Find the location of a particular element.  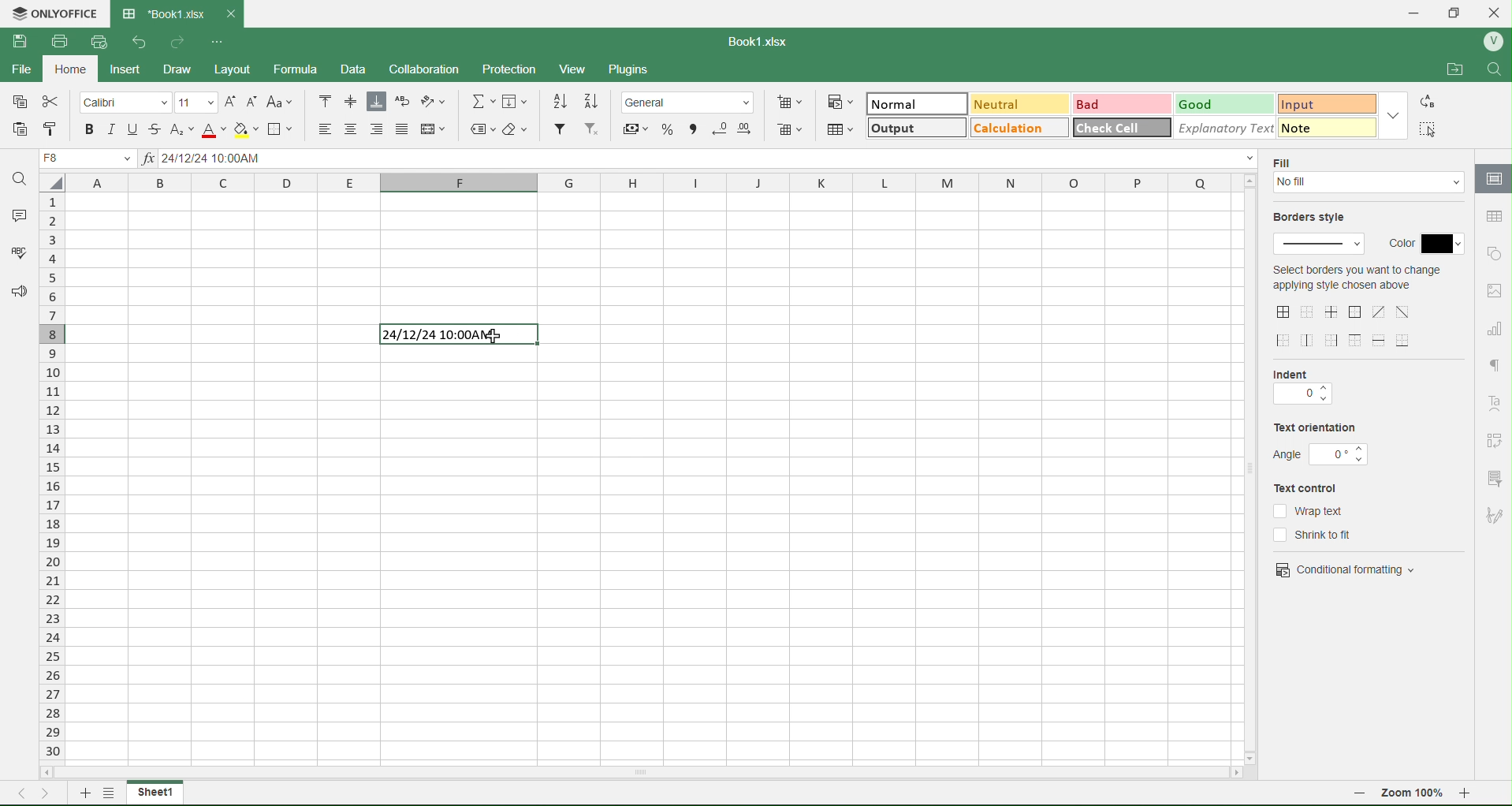

Find is located at coordinates (20, 178).